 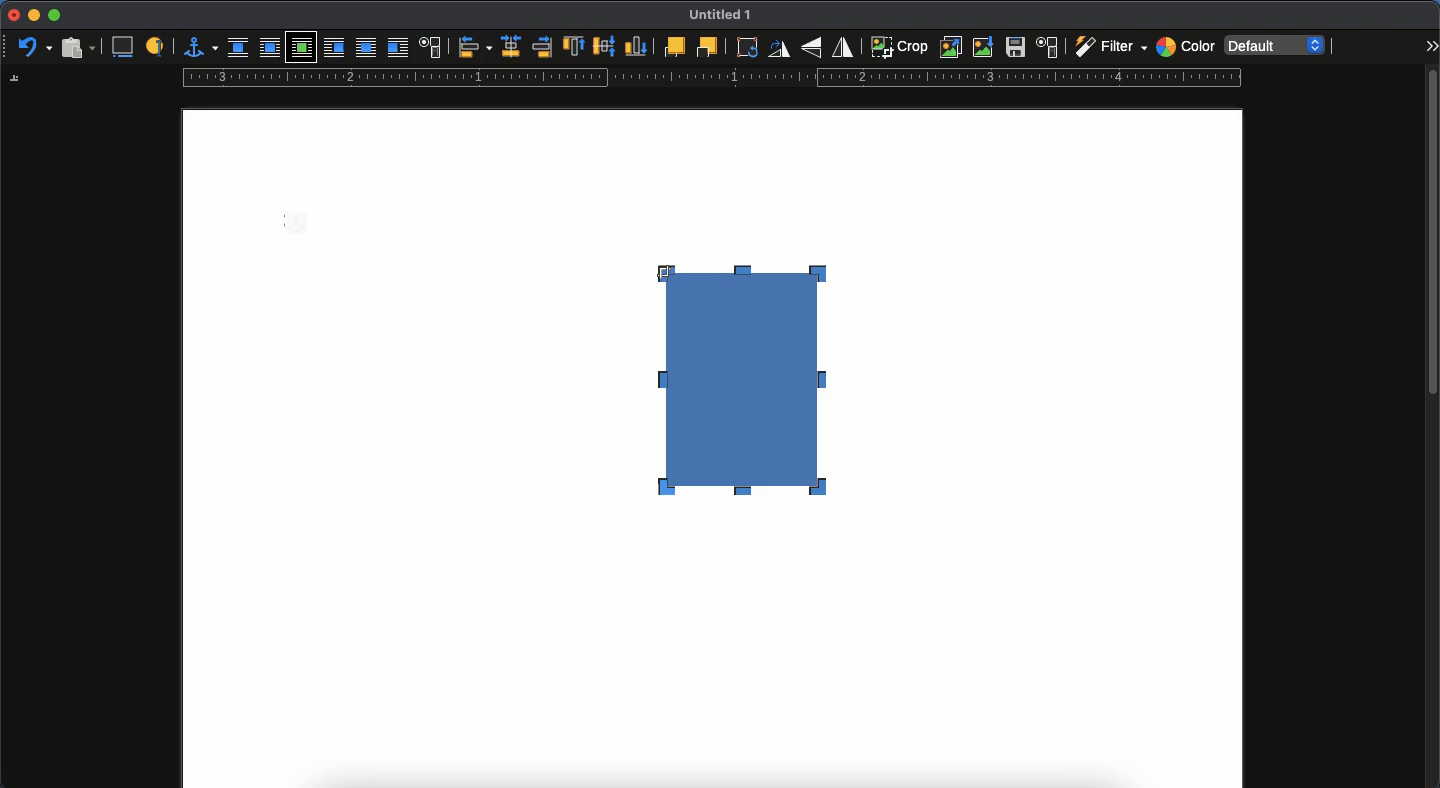 I want to click on insert caption, so click(x=121, y=47).